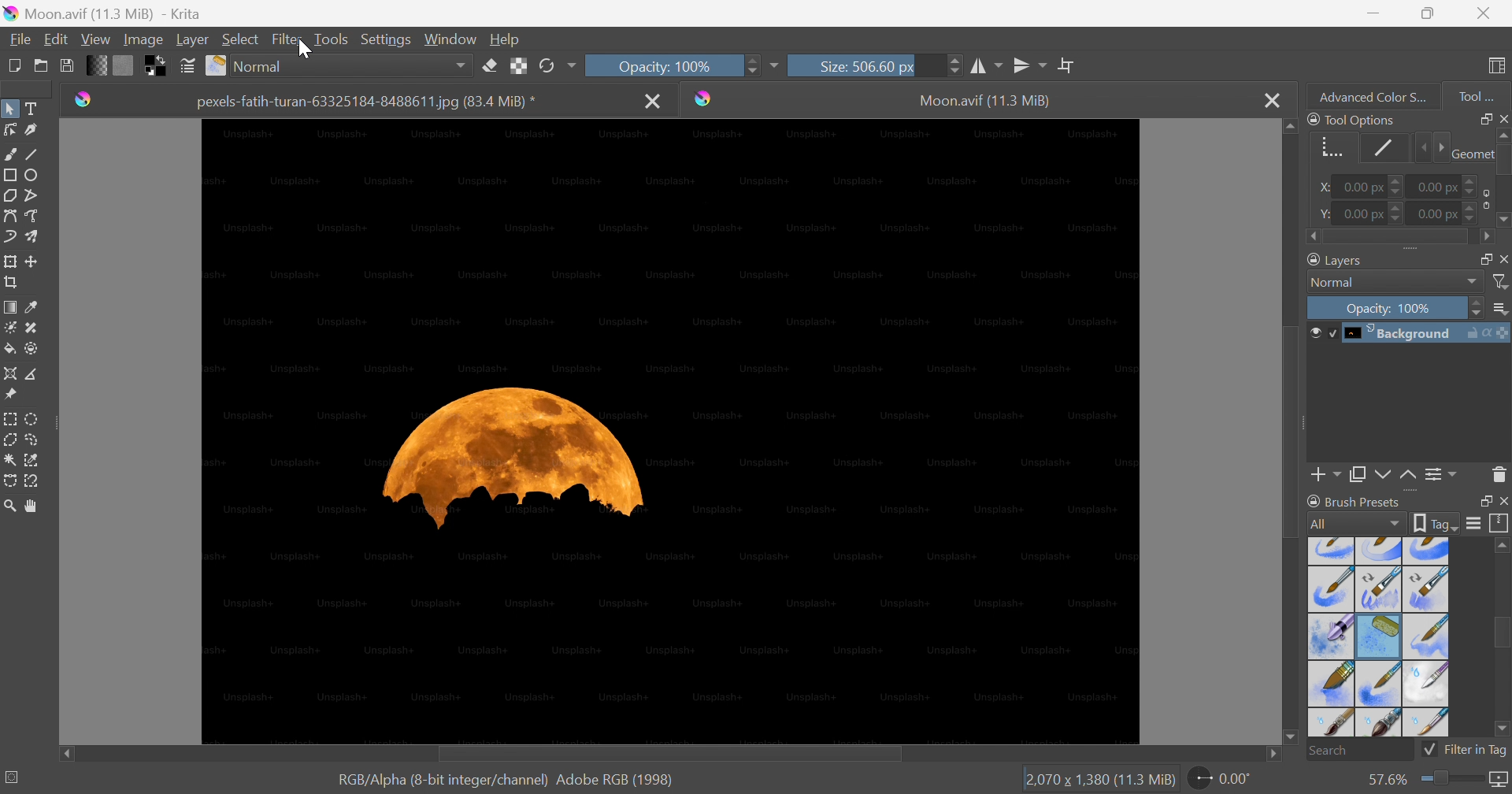 The height and width of the screenshot is (794, 1512). I want to click on Close, so click(1503, 258).